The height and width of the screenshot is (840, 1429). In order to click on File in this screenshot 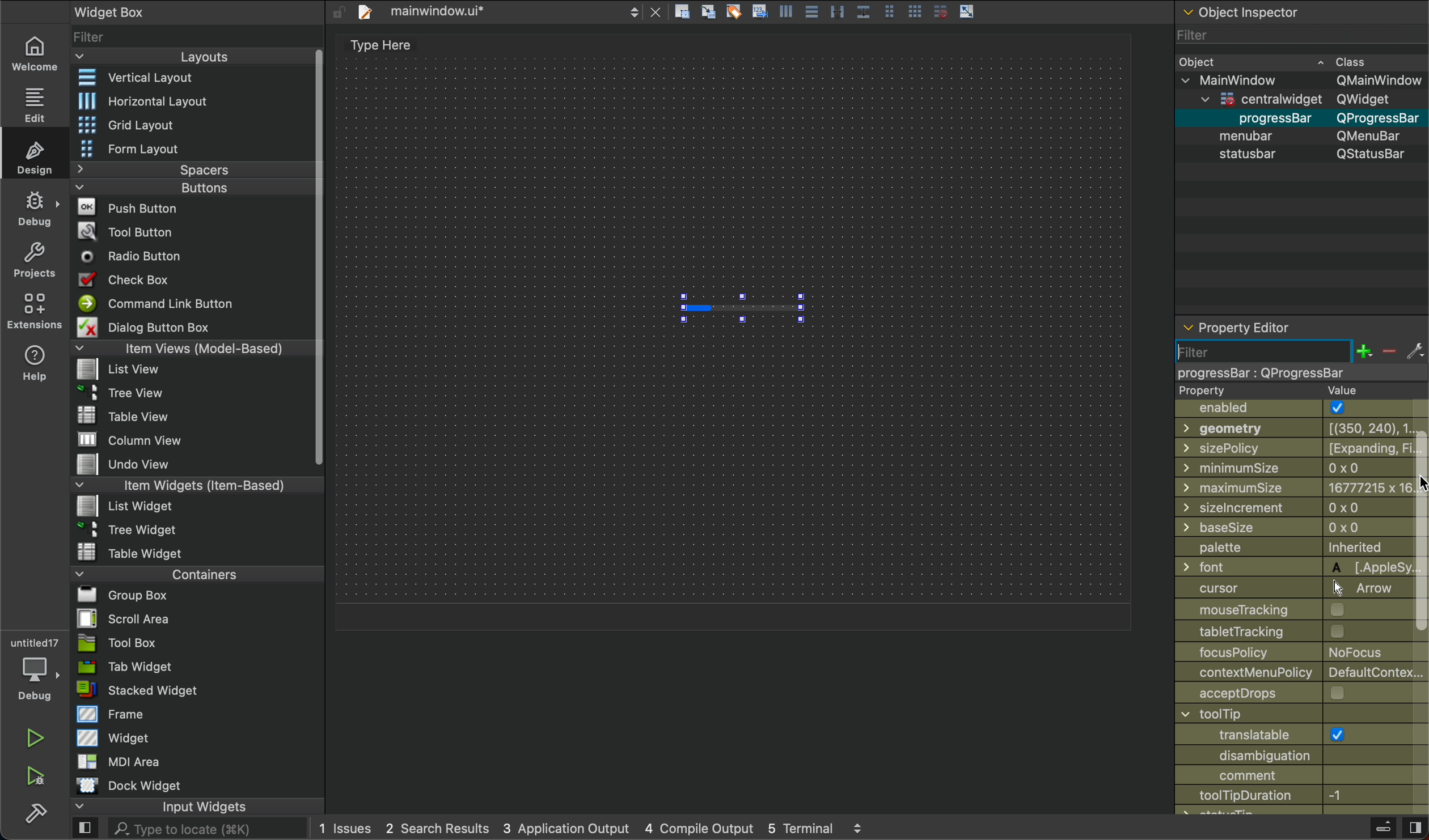, I will do `click(126, 505)`.